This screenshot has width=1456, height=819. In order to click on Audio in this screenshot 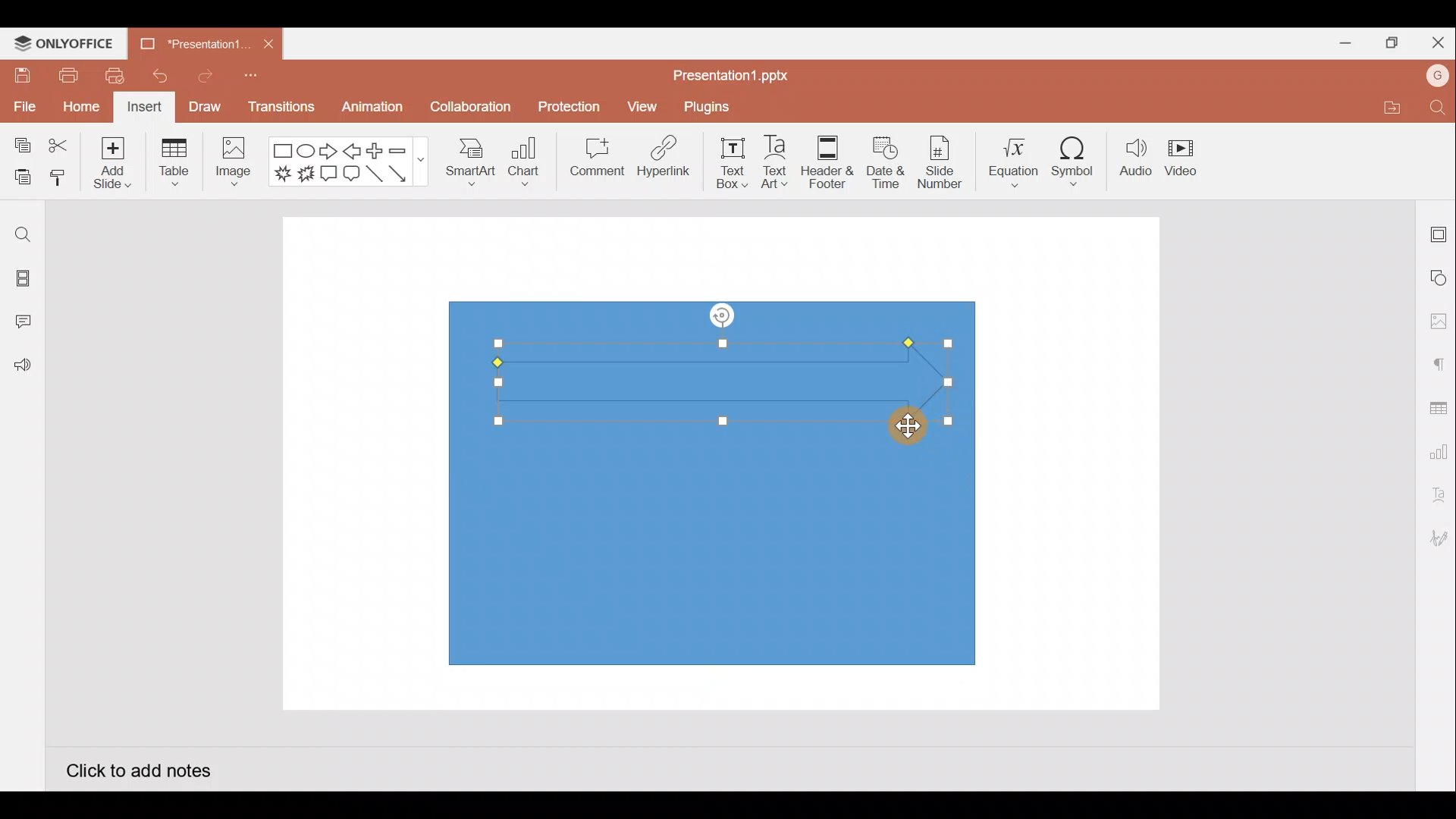, I will do `click(1136, 158)`.